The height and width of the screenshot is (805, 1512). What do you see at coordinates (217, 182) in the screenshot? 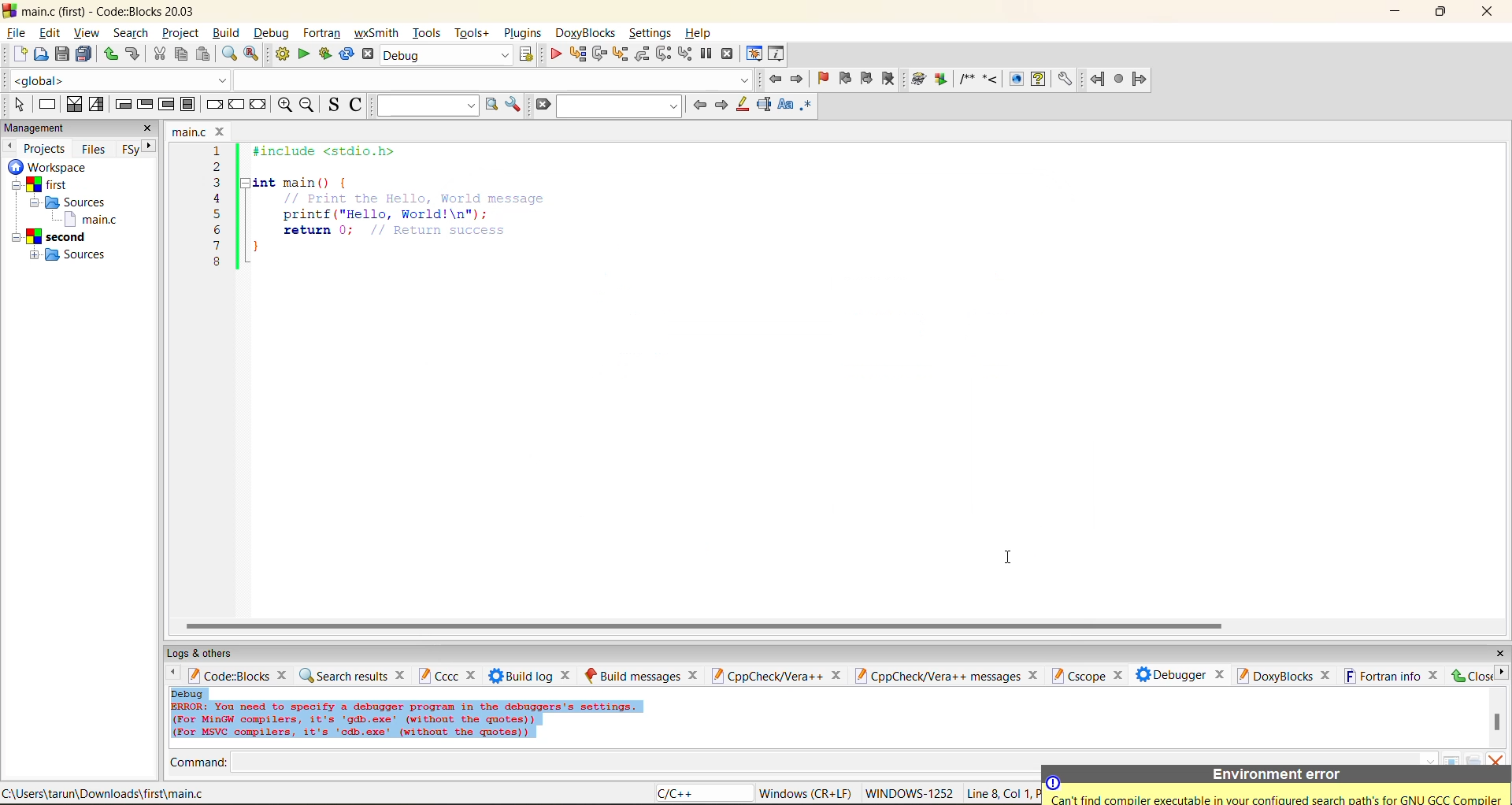
I see `3` at bounding box center [217, 182].